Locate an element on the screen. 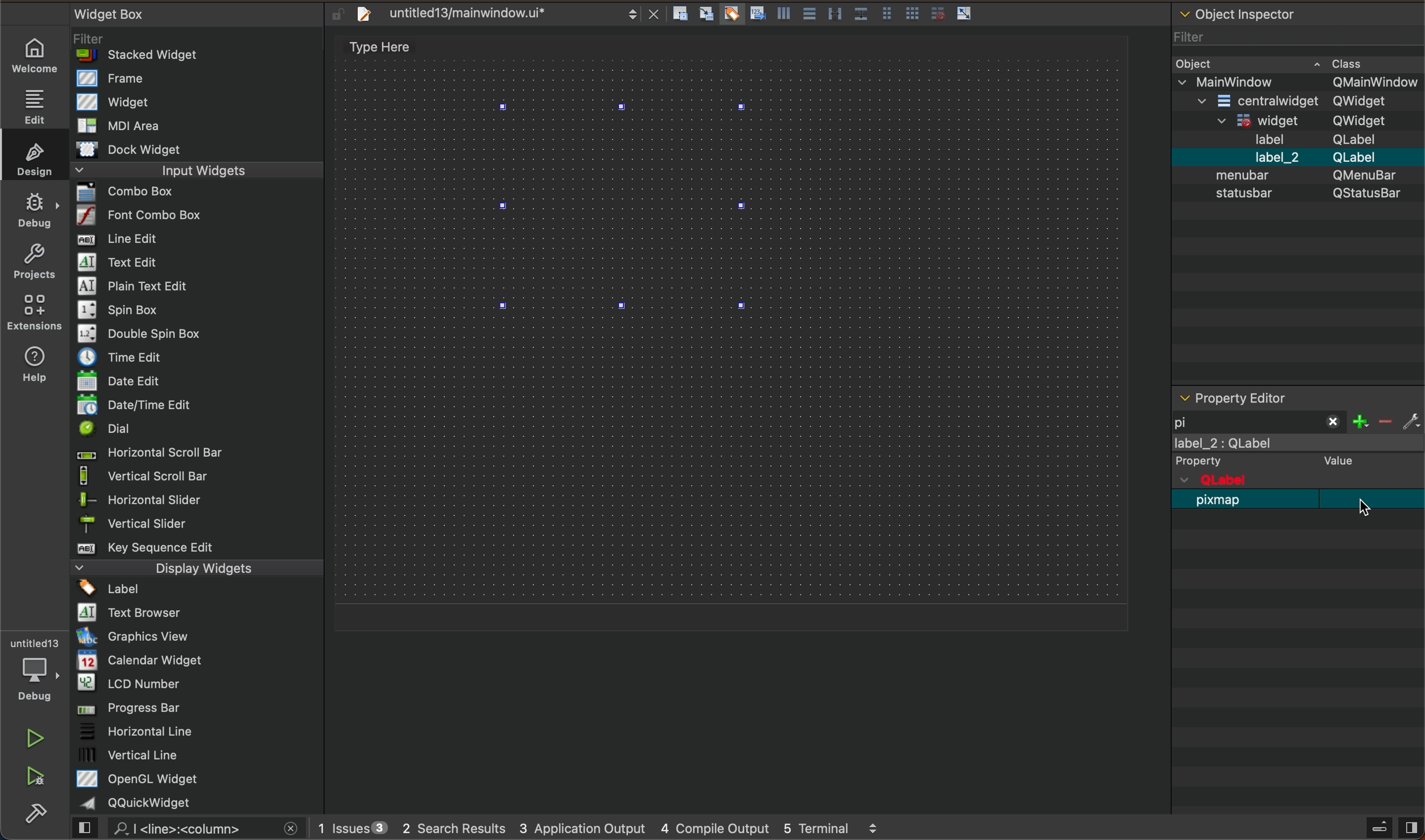 This screenshot has width=1425, height=840. label is located at coordinates (1300, 454).